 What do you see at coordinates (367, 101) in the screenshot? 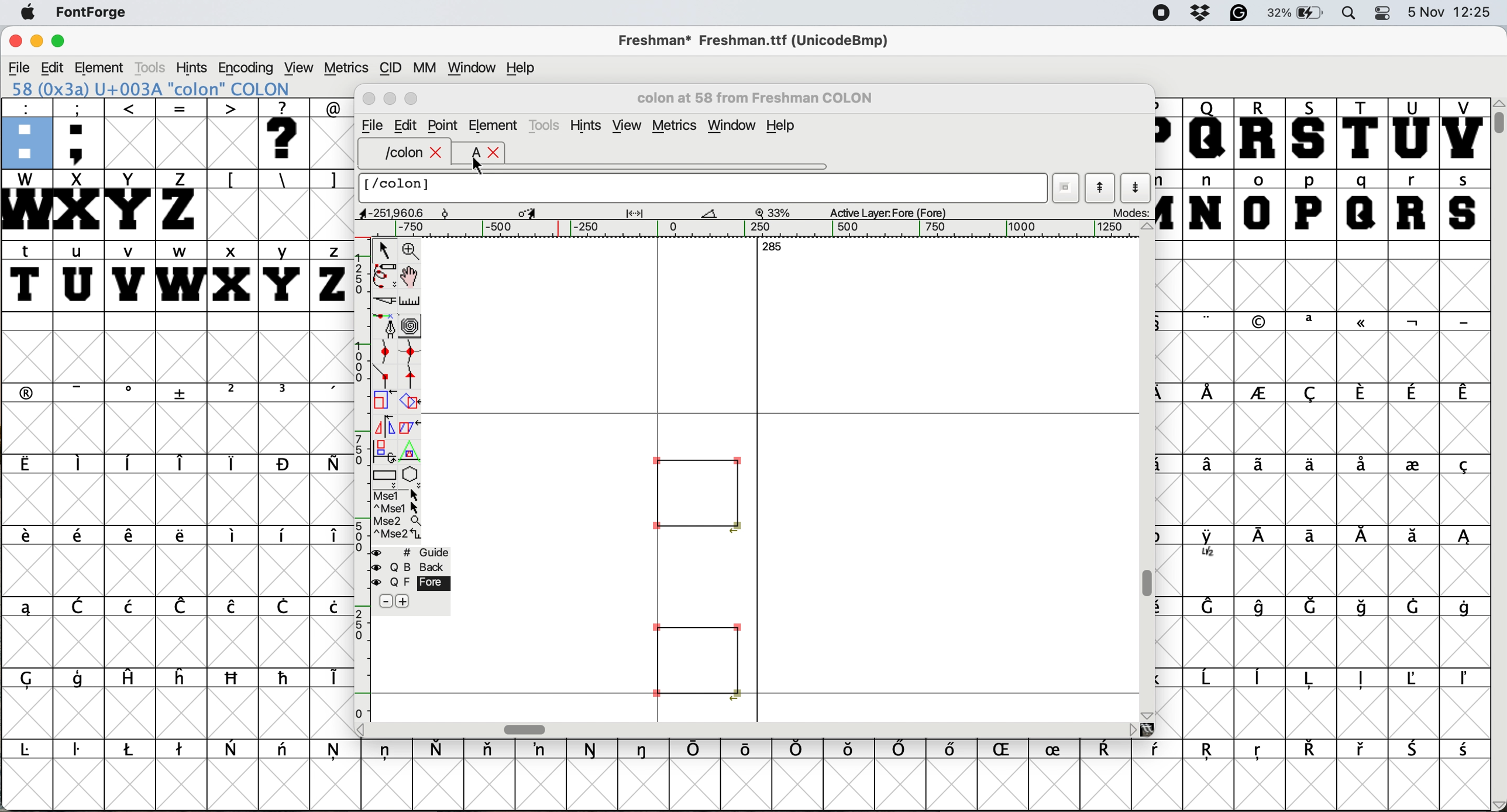
I see `close` at bounding box center [367, 101].